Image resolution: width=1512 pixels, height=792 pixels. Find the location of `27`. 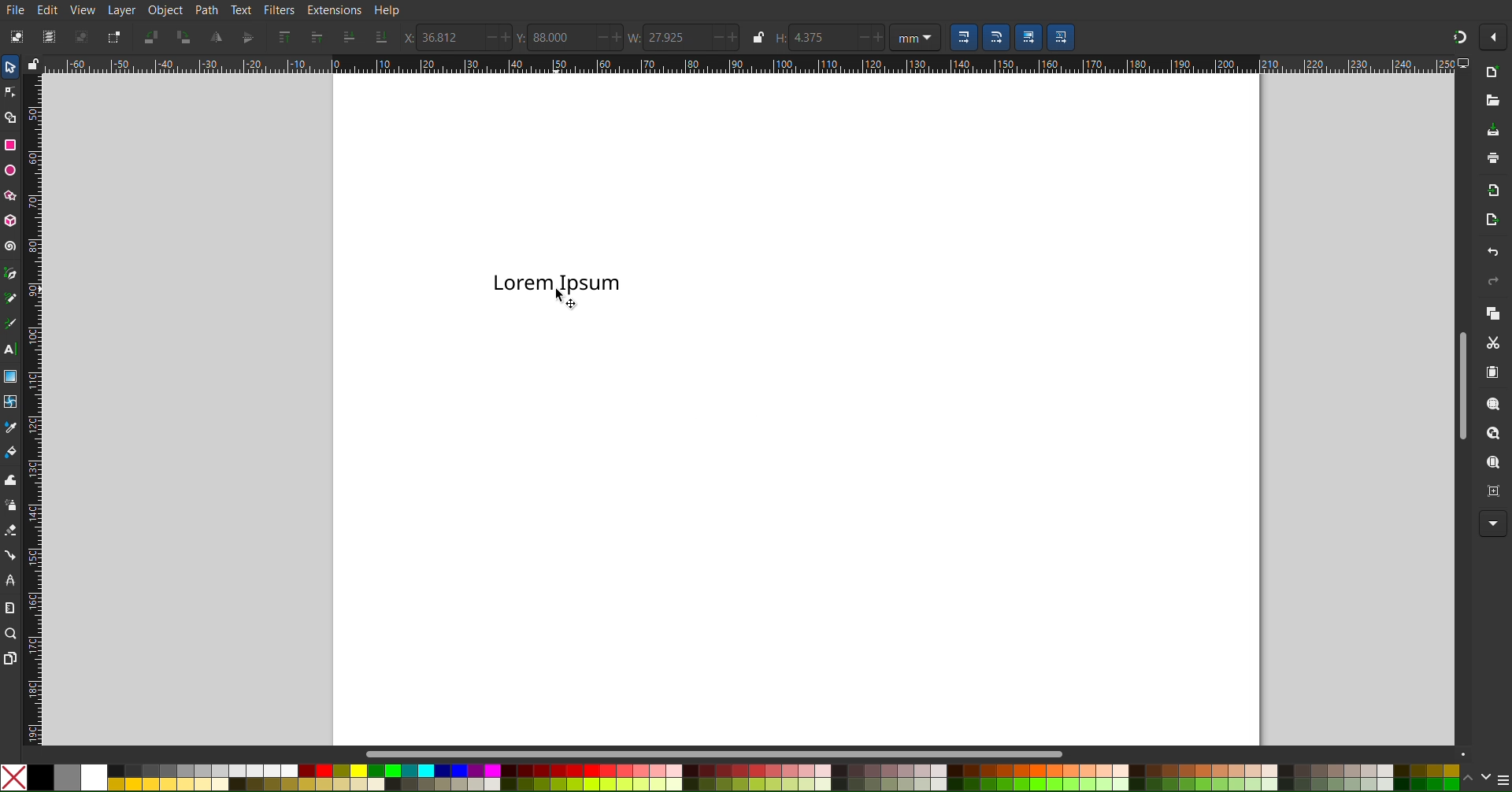

27 is located at coordinates (675, 38).